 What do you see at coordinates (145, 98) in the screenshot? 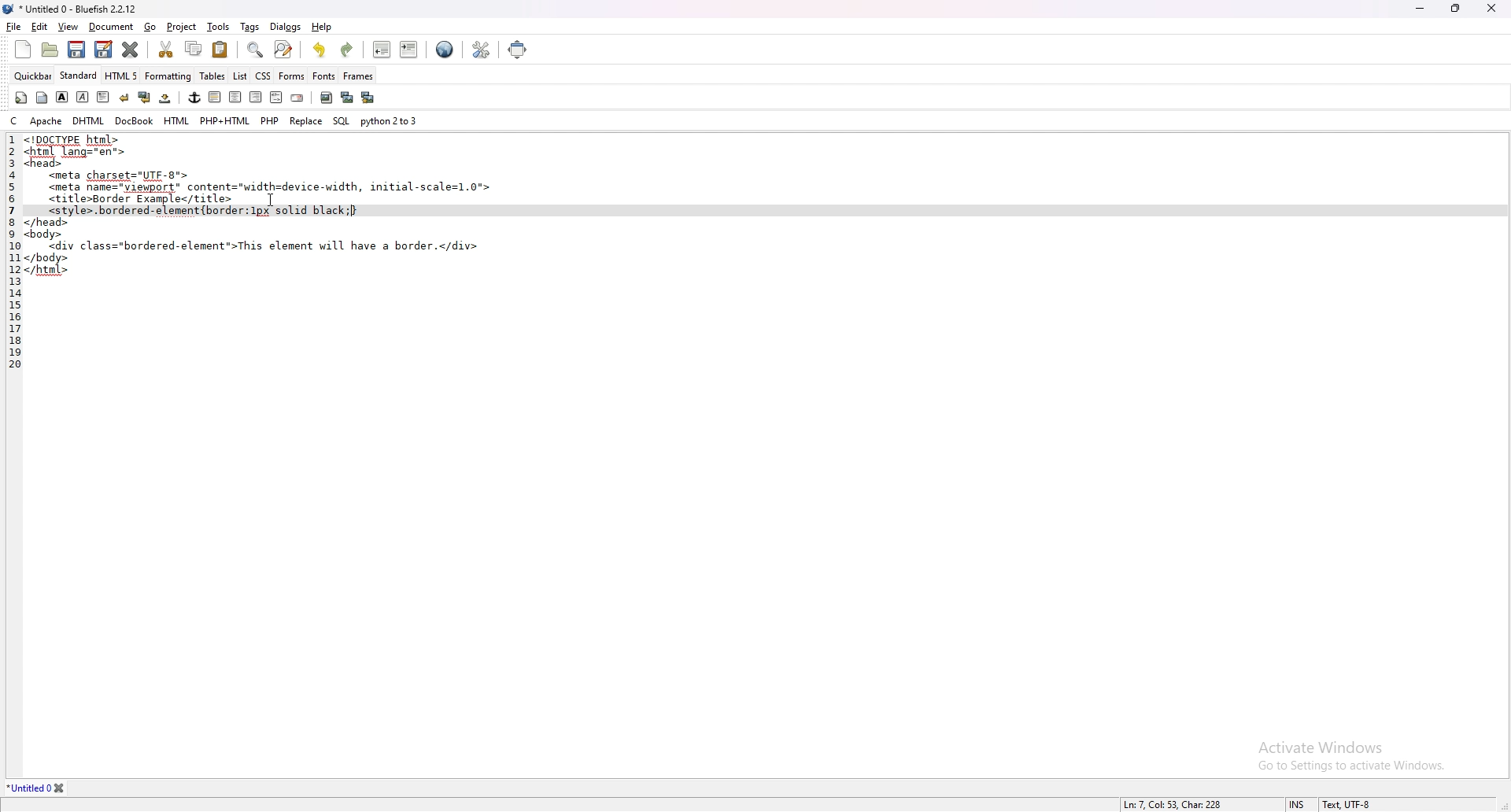
I see `break and clear` at bounding box center [145, 98].